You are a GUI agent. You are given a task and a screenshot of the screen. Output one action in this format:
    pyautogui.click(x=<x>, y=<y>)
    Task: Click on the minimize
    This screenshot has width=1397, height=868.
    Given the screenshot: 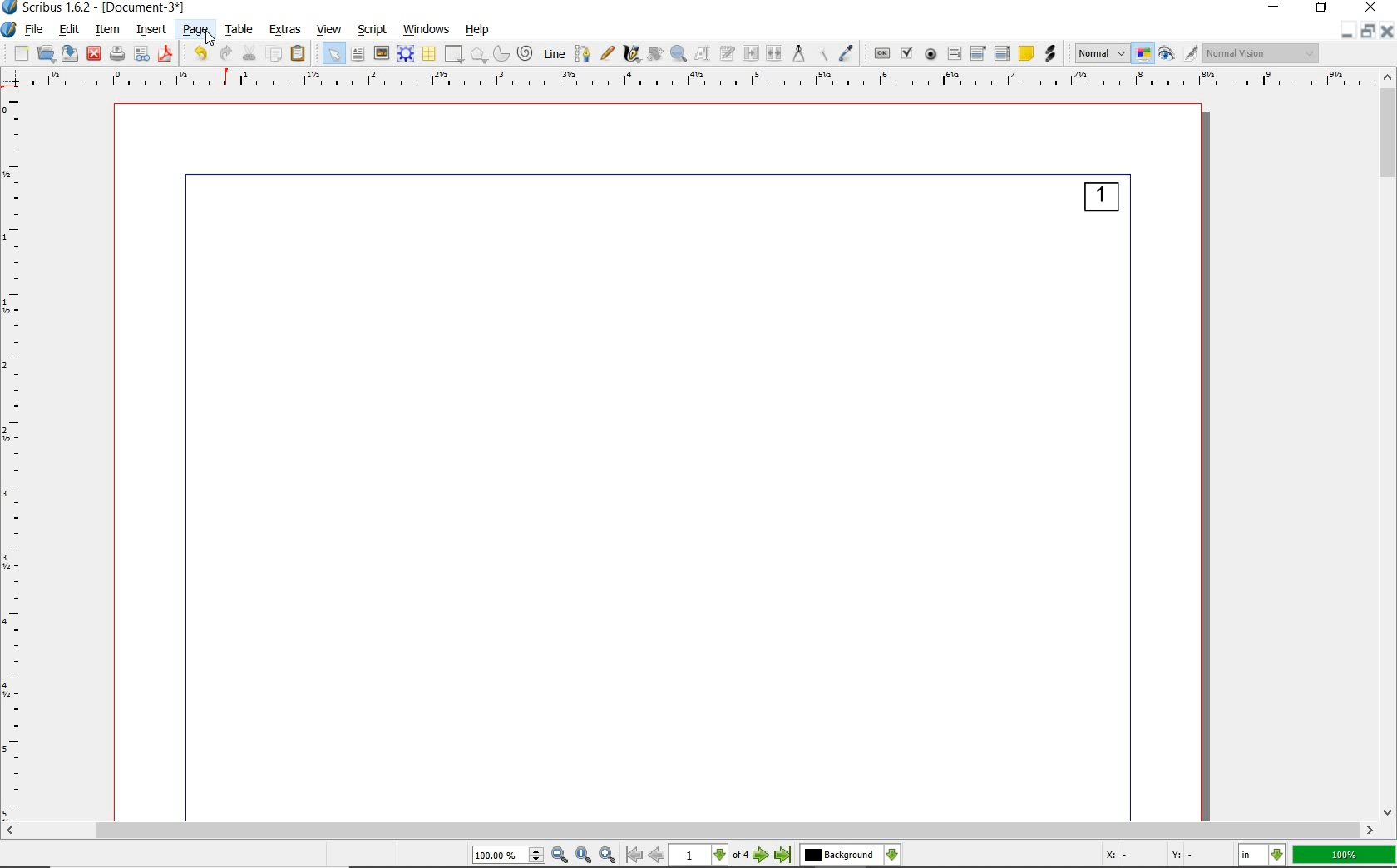 What is the action you would take?
    pyautogui.click(x=1277, y=7)
    